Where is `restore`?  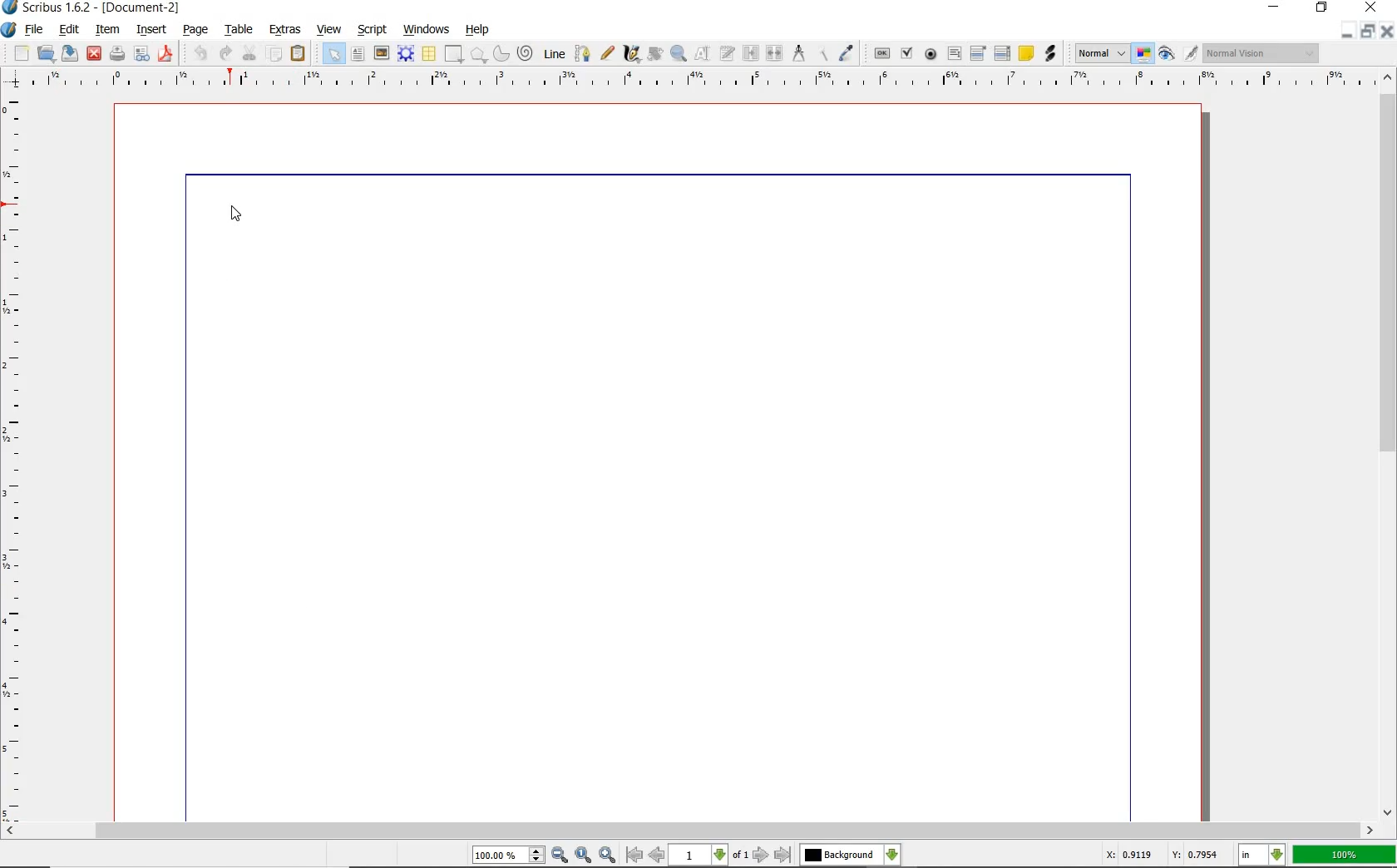
restore is located at coordinates (1367, 31).